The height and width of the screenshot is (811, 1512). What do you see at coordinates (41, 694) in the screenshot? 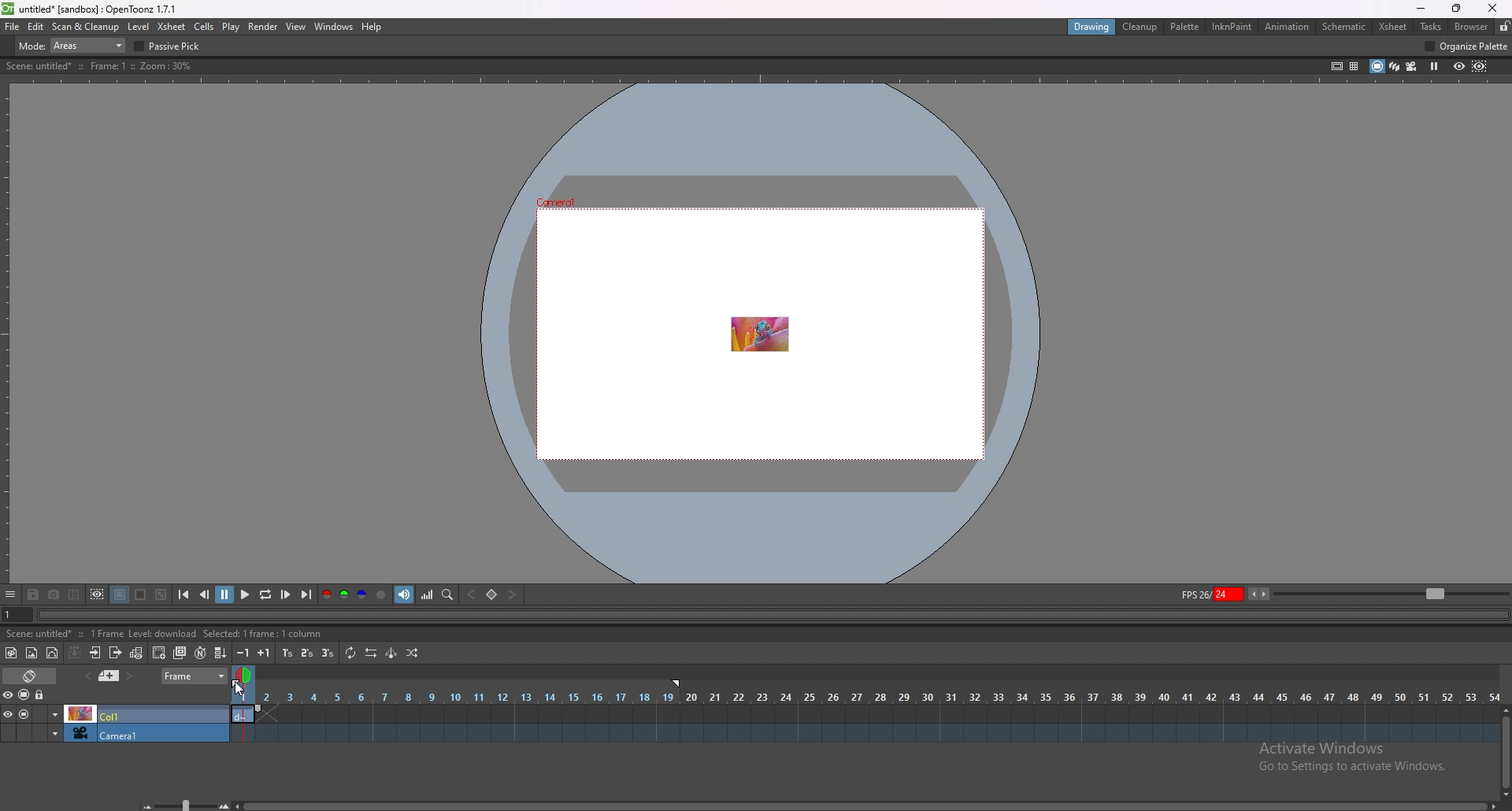
I see `lock` at bounding box center [41, 694].